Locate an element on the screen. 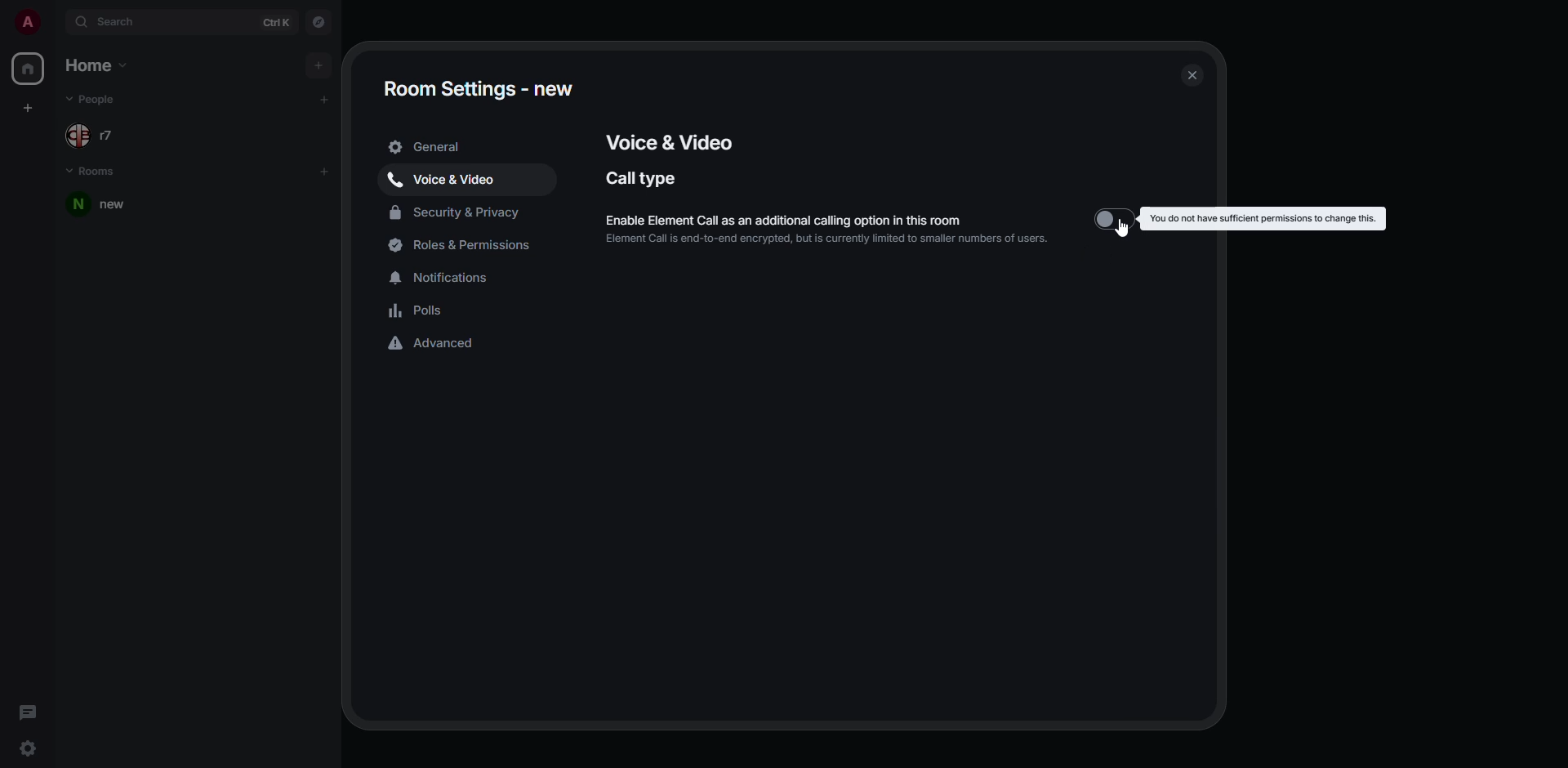 The image size is (1568, 768). room settings - new  is located at coordinates (478, 88).